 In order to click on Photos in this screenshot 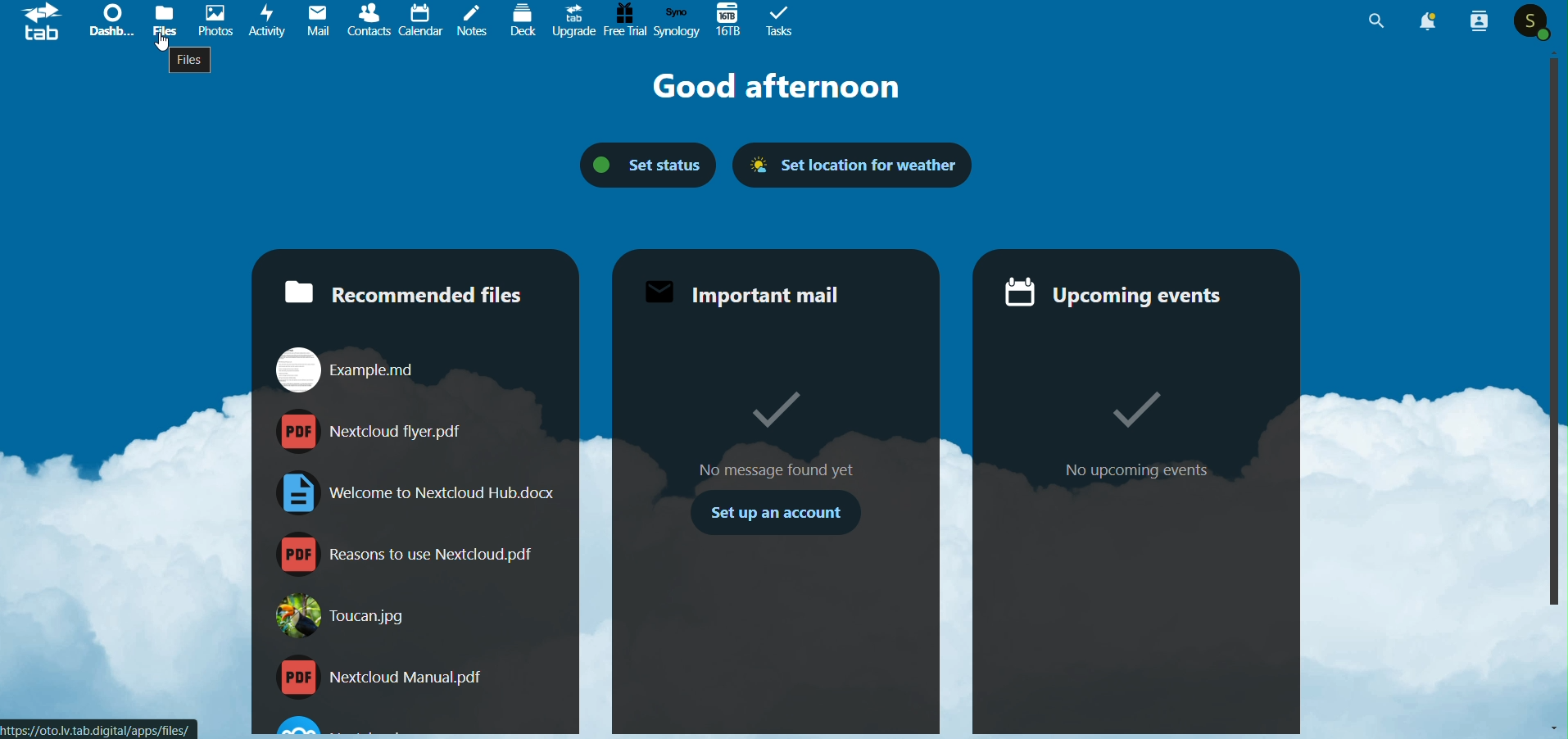, I will do `click(213, 20)`.